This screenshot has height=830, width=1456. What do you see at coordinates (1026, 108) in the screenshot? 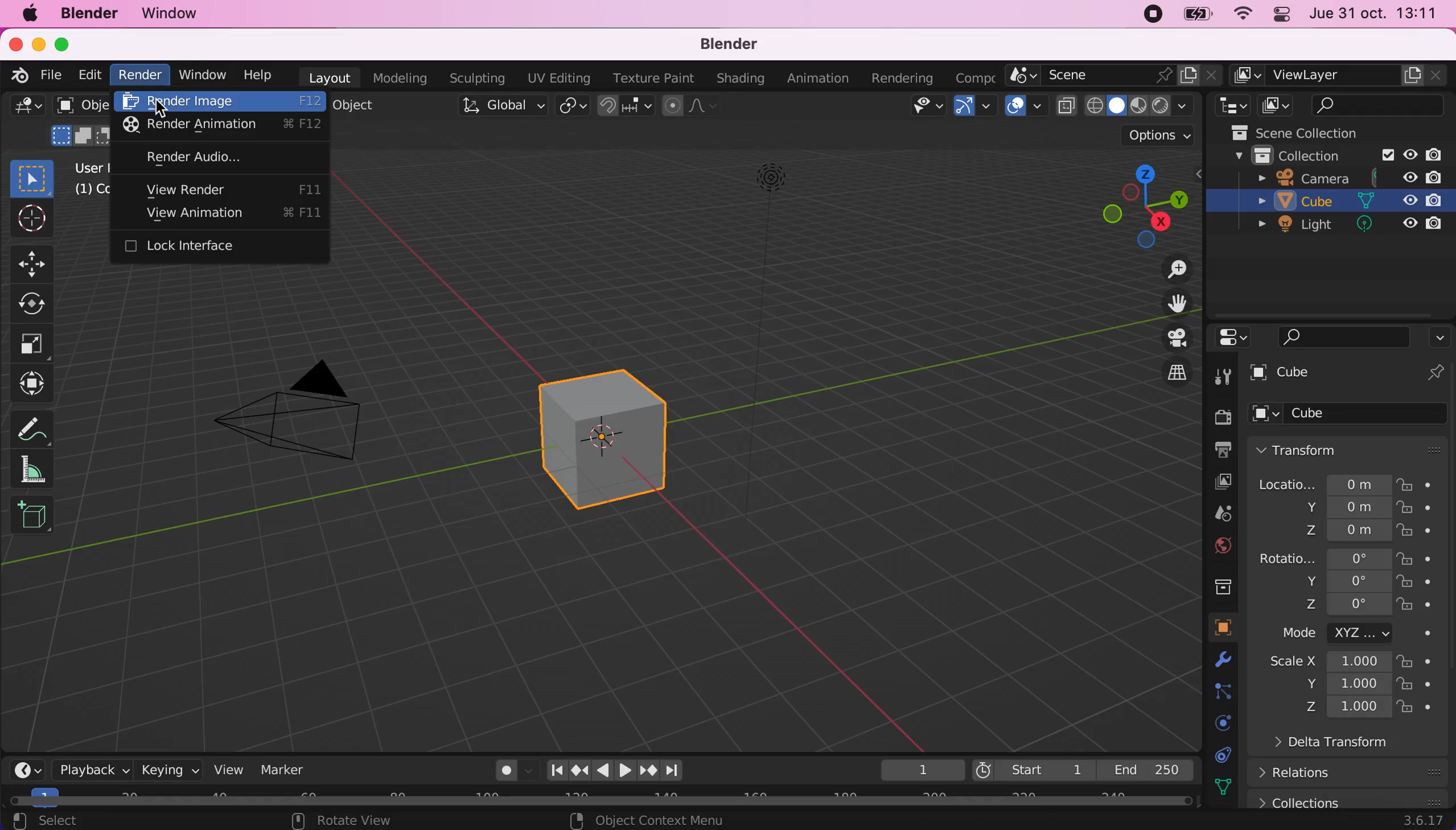
I see `Show overlays` at bounding box center [1026, 108].